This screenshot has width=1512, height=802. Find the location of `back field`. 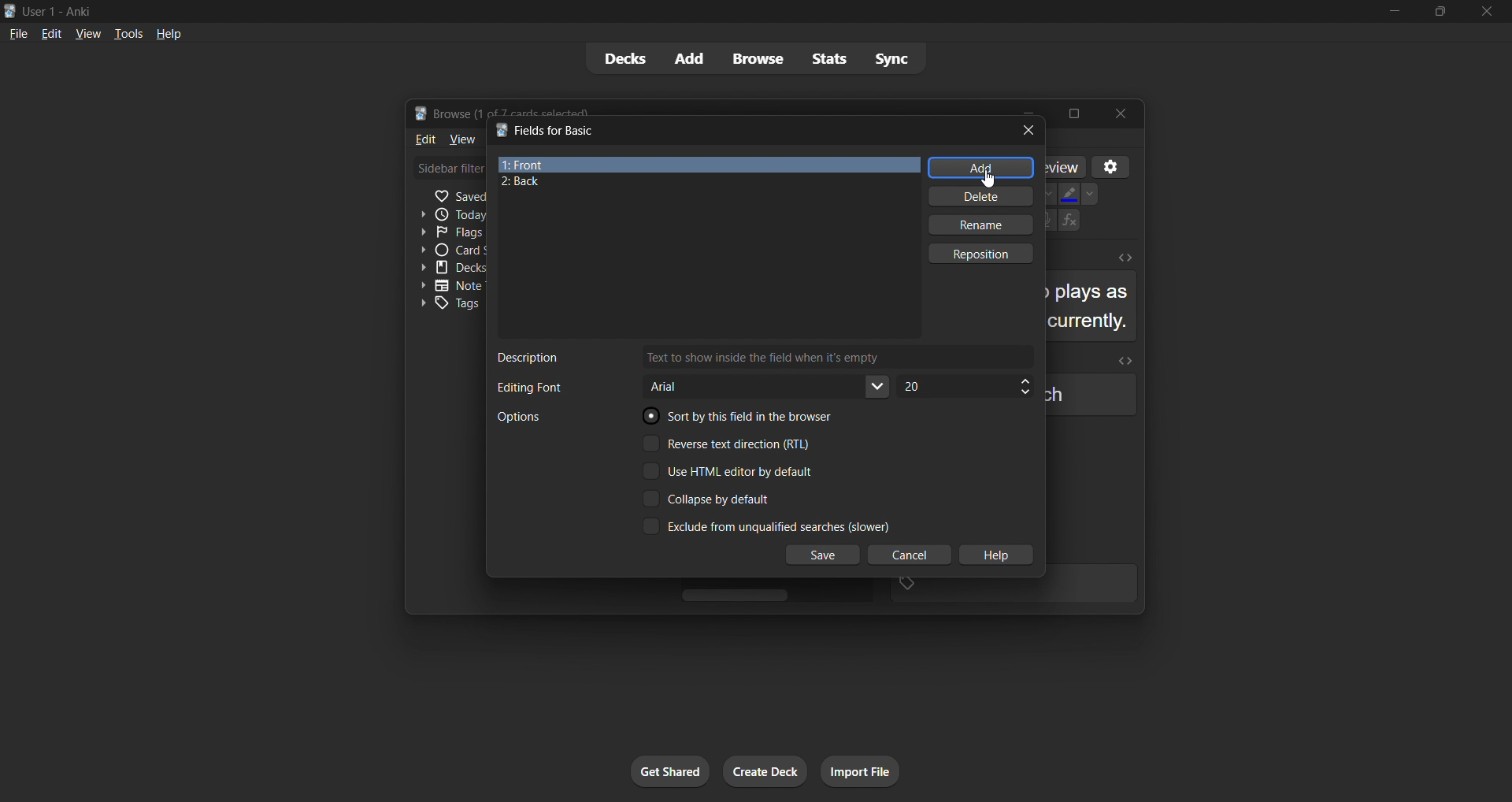

back field is located at coordinates (699, 184).